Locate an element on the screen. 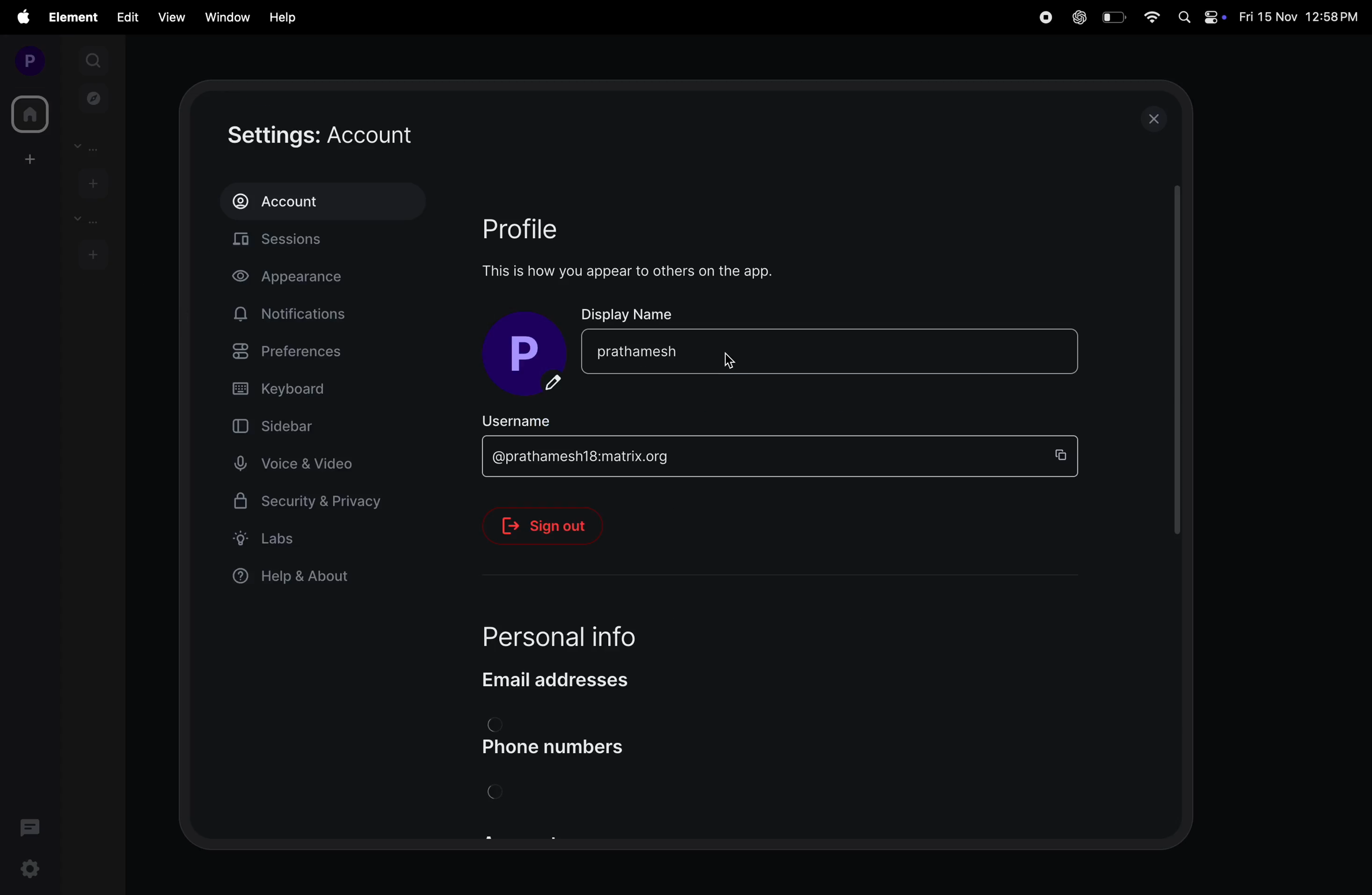 This screenshot has width=1372, height=895. this is how you appear on other app is located at coordinates (639, 271).